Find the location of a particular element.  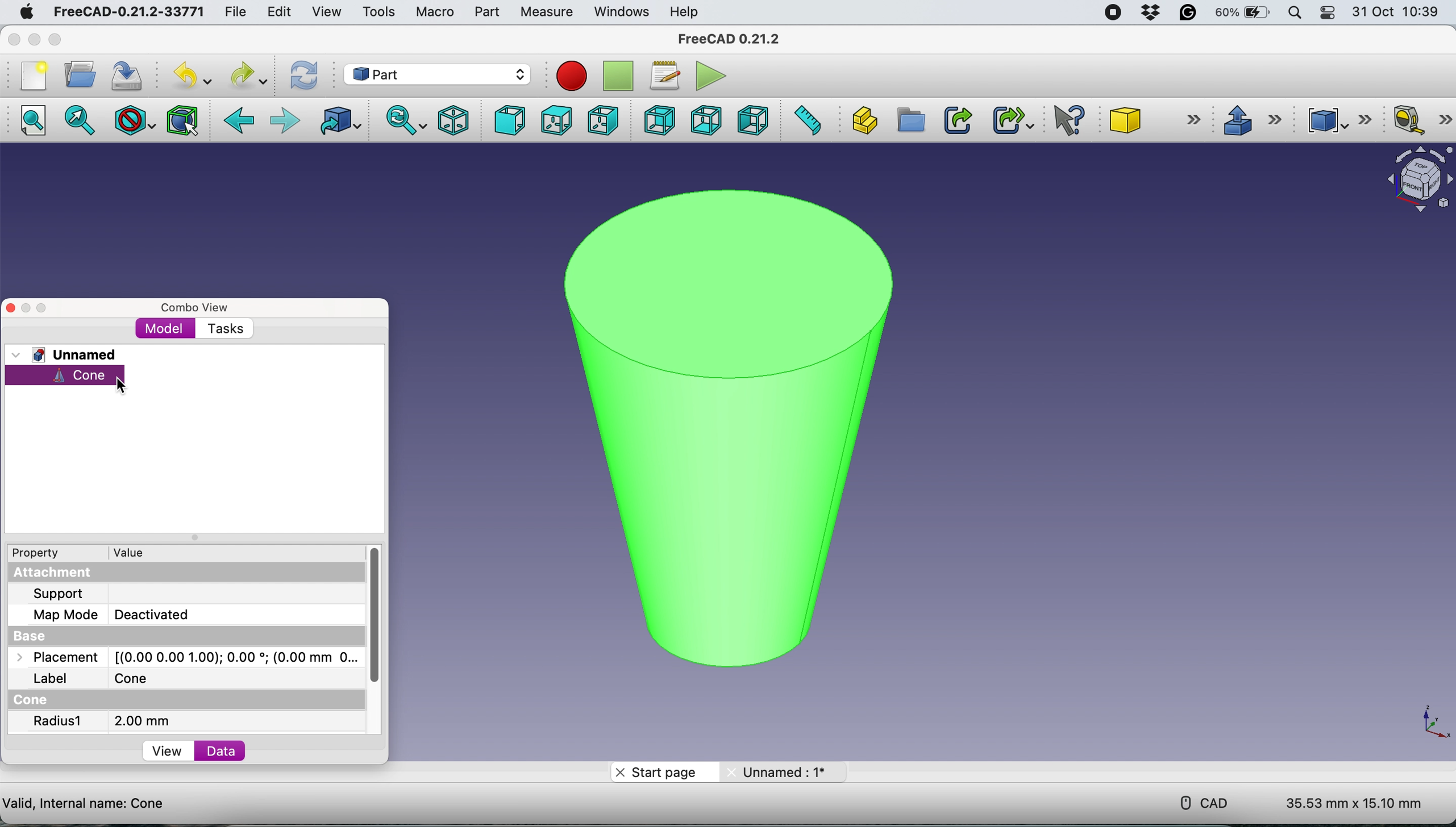

property is located at coordinates (44, 554).